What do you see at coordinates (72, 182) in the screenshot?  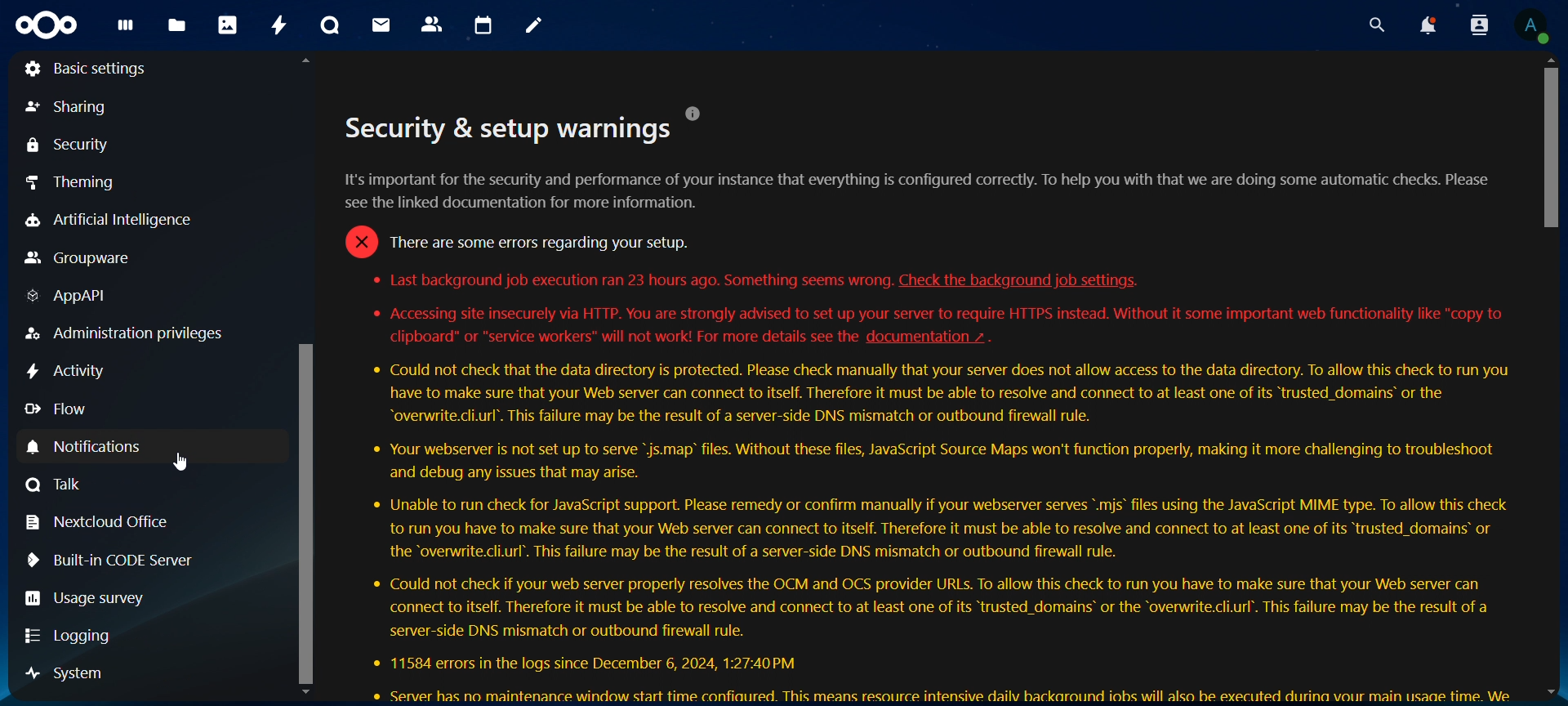 I see `theming` at bounding box center [72, 182].